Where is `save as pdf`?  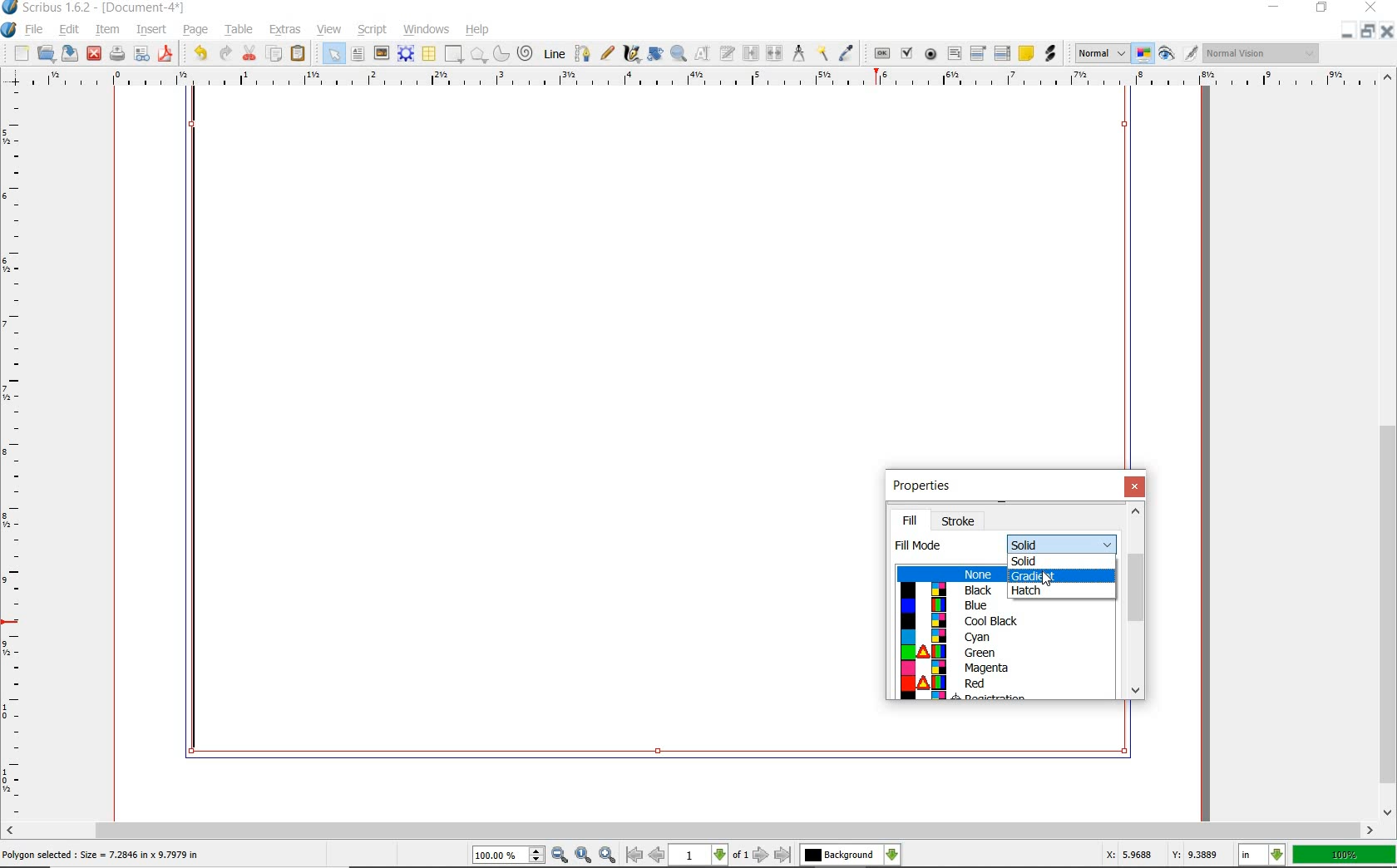 save as pdf is located at coordinates (166, 53).